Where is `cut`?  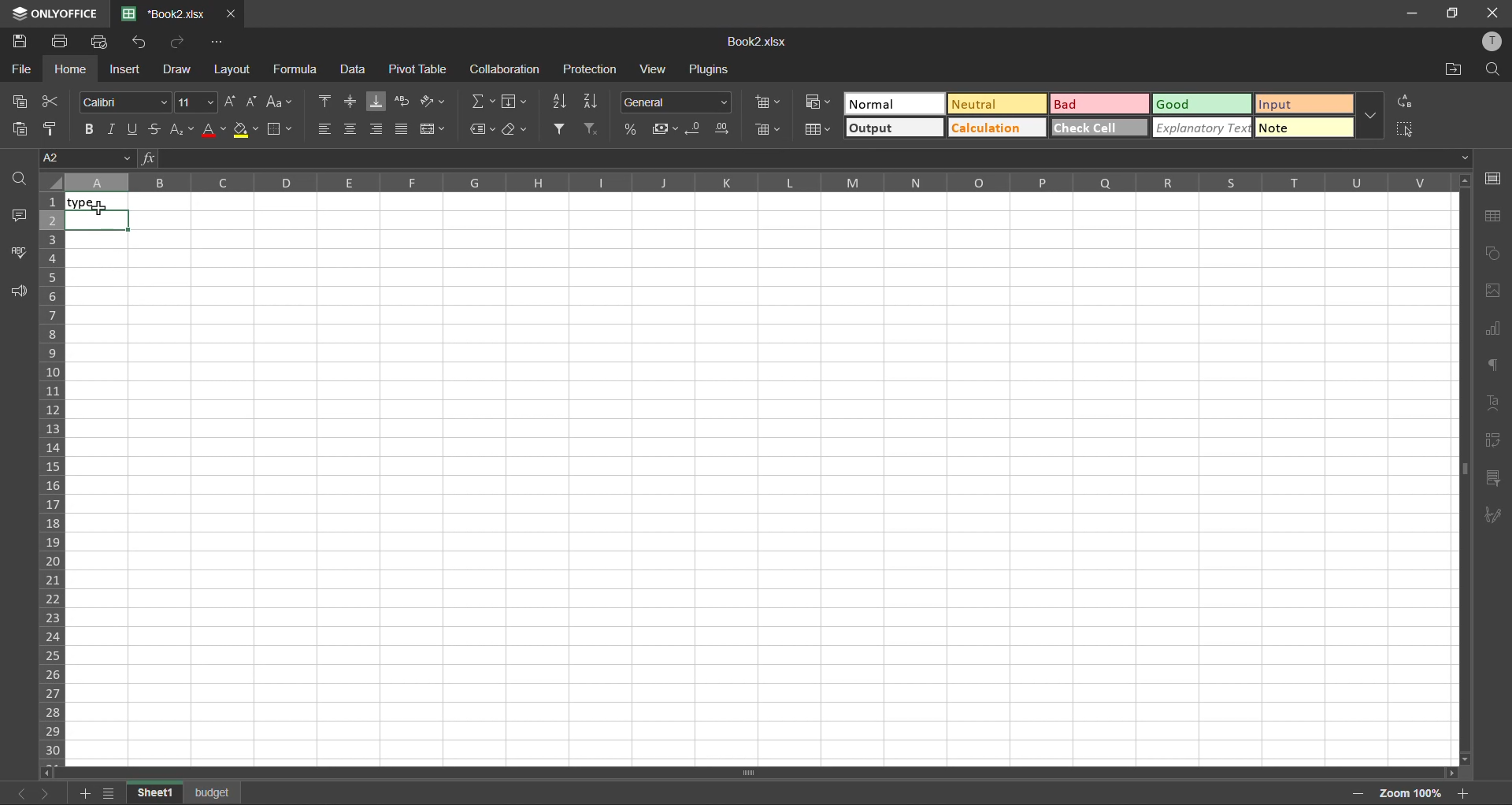
cut is located at coordinates (51, 102).